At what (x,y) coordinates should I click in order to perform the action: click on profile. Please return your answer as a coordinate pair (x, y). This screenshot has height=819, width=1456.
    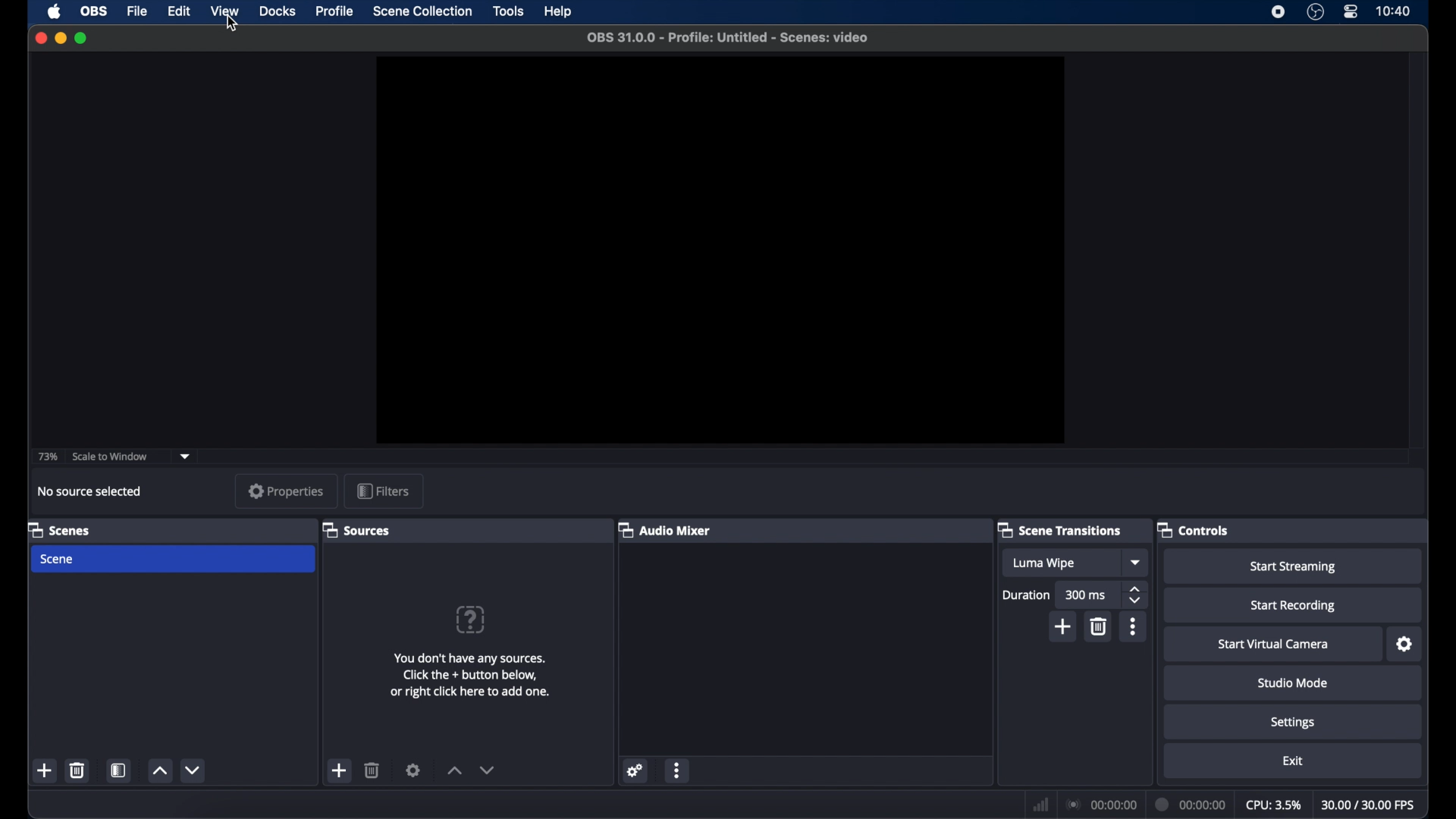
    Looking at the image, I should click on (336, 11).